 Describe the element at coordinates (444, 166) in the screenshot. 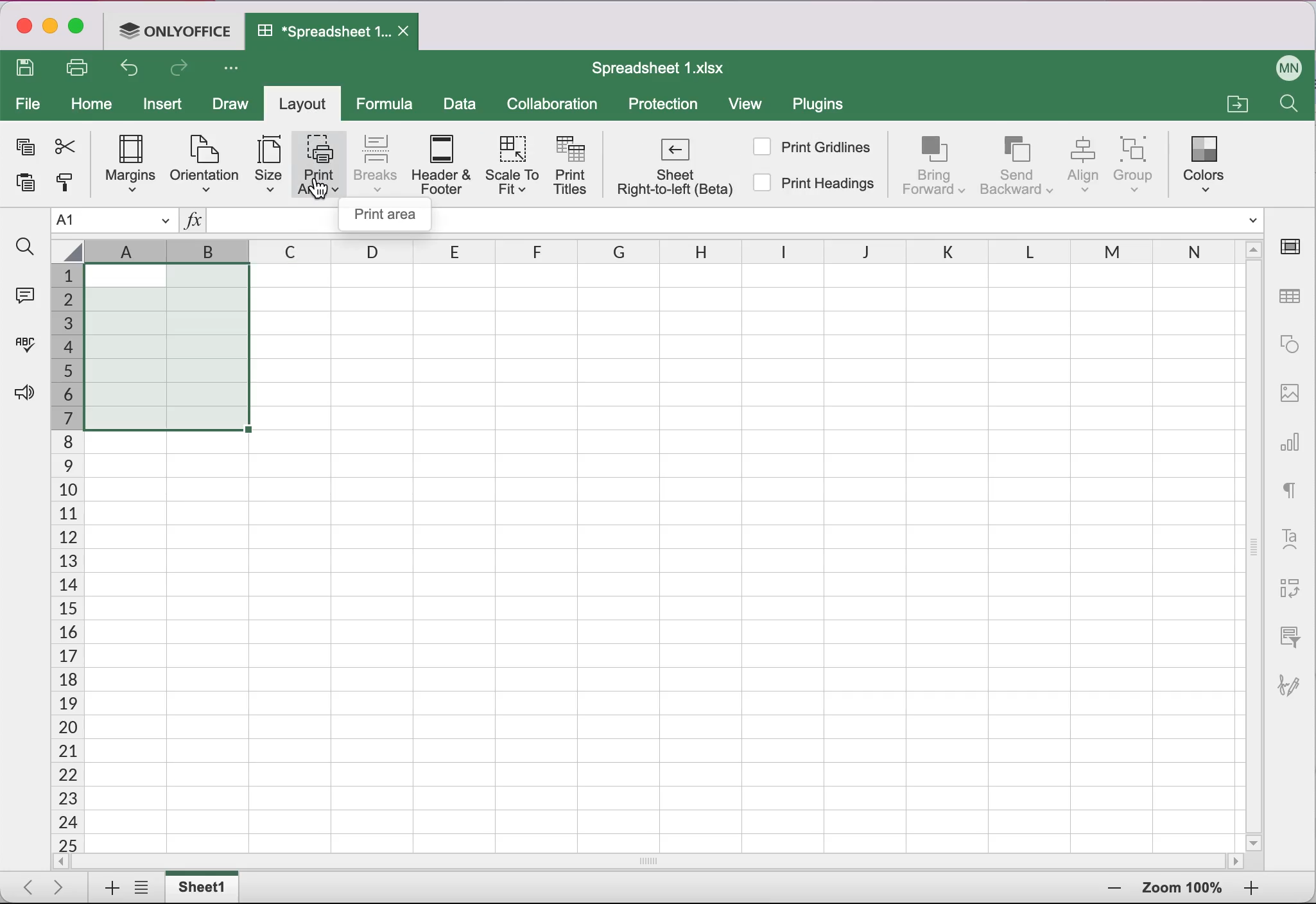

I see `Header & footer` at that location.